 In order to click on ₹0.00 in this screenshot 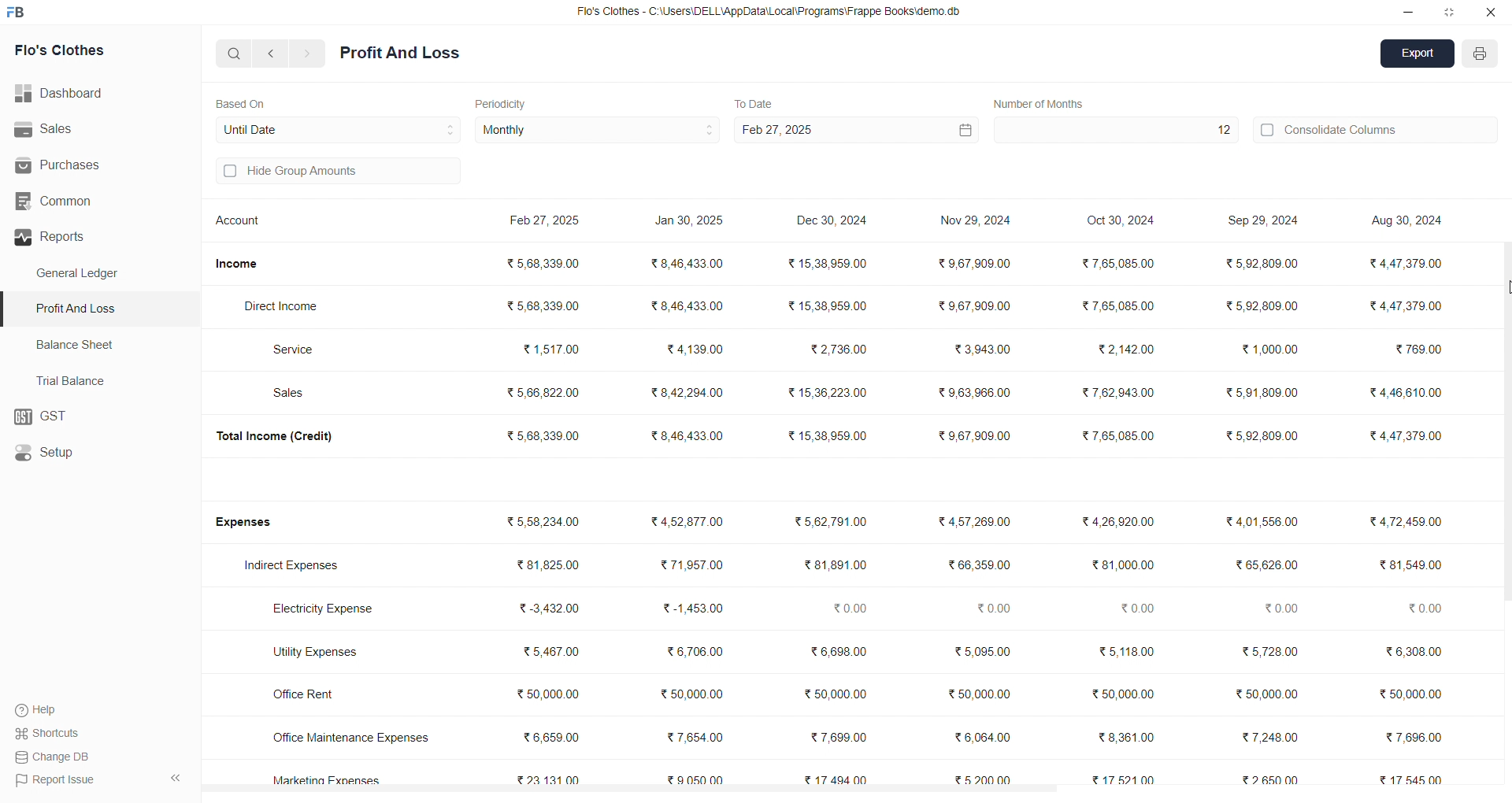, I will do `click(1281, 606)`.